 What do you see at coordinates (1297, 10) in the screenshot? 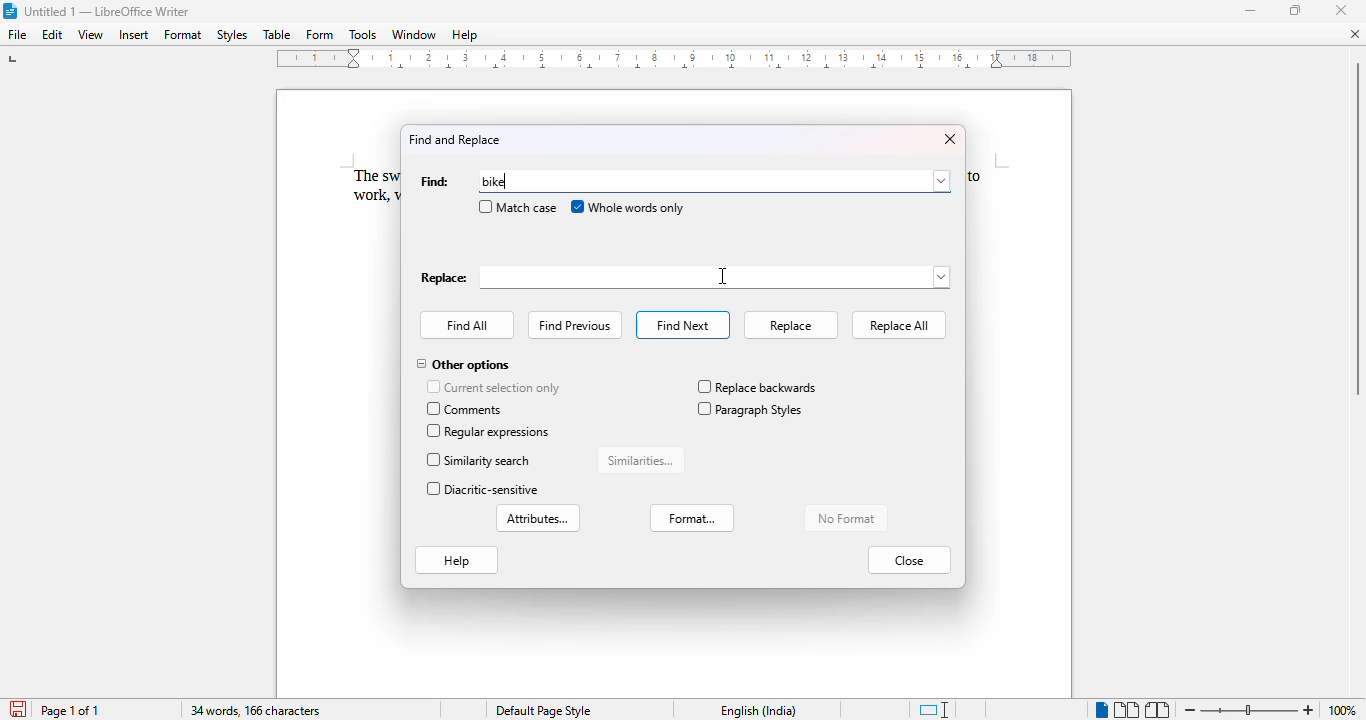
I see `maximize` at bounding box center [1297, 10].